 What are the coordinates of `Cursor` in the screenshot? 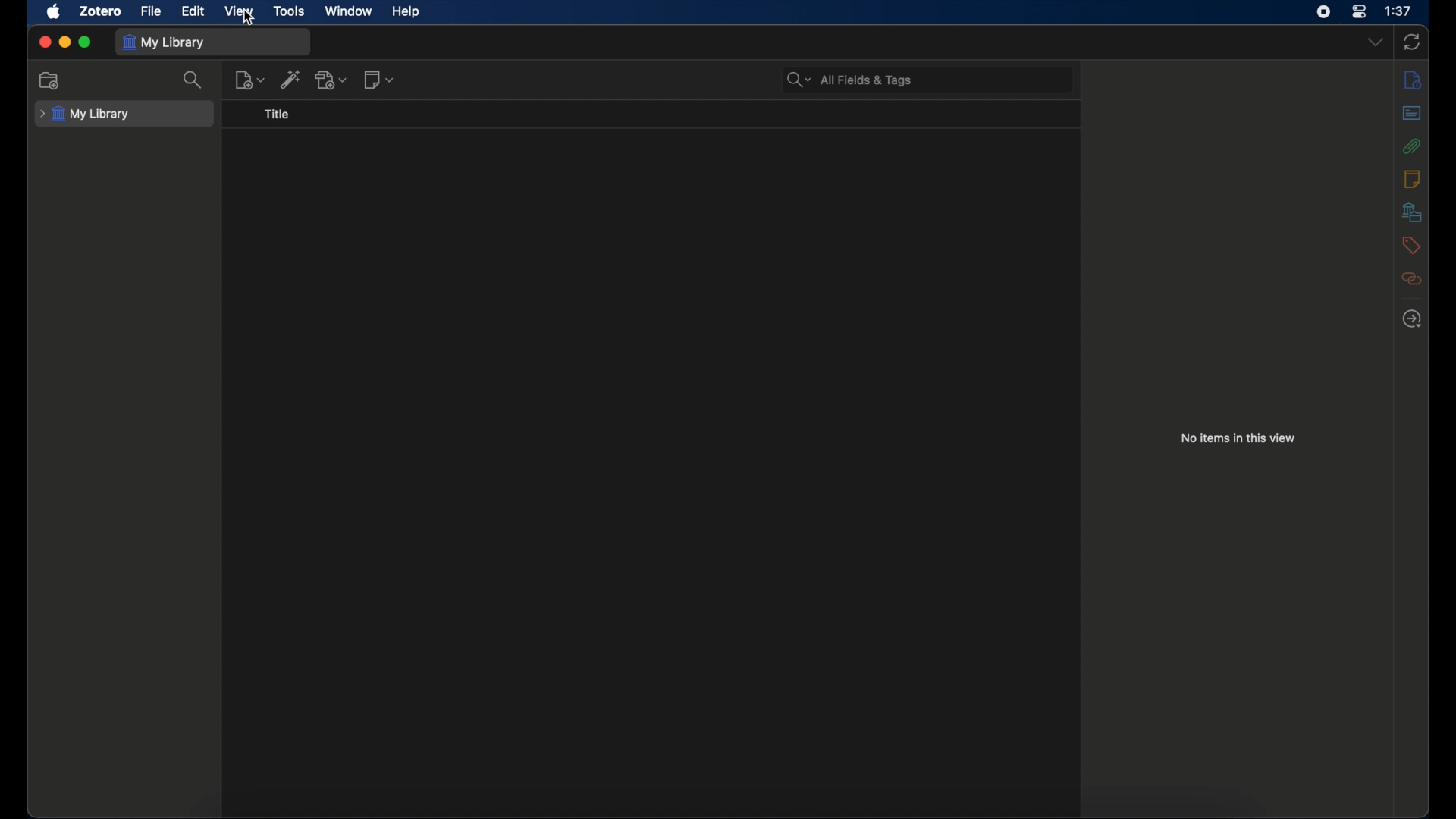 It's located at (249, 19).